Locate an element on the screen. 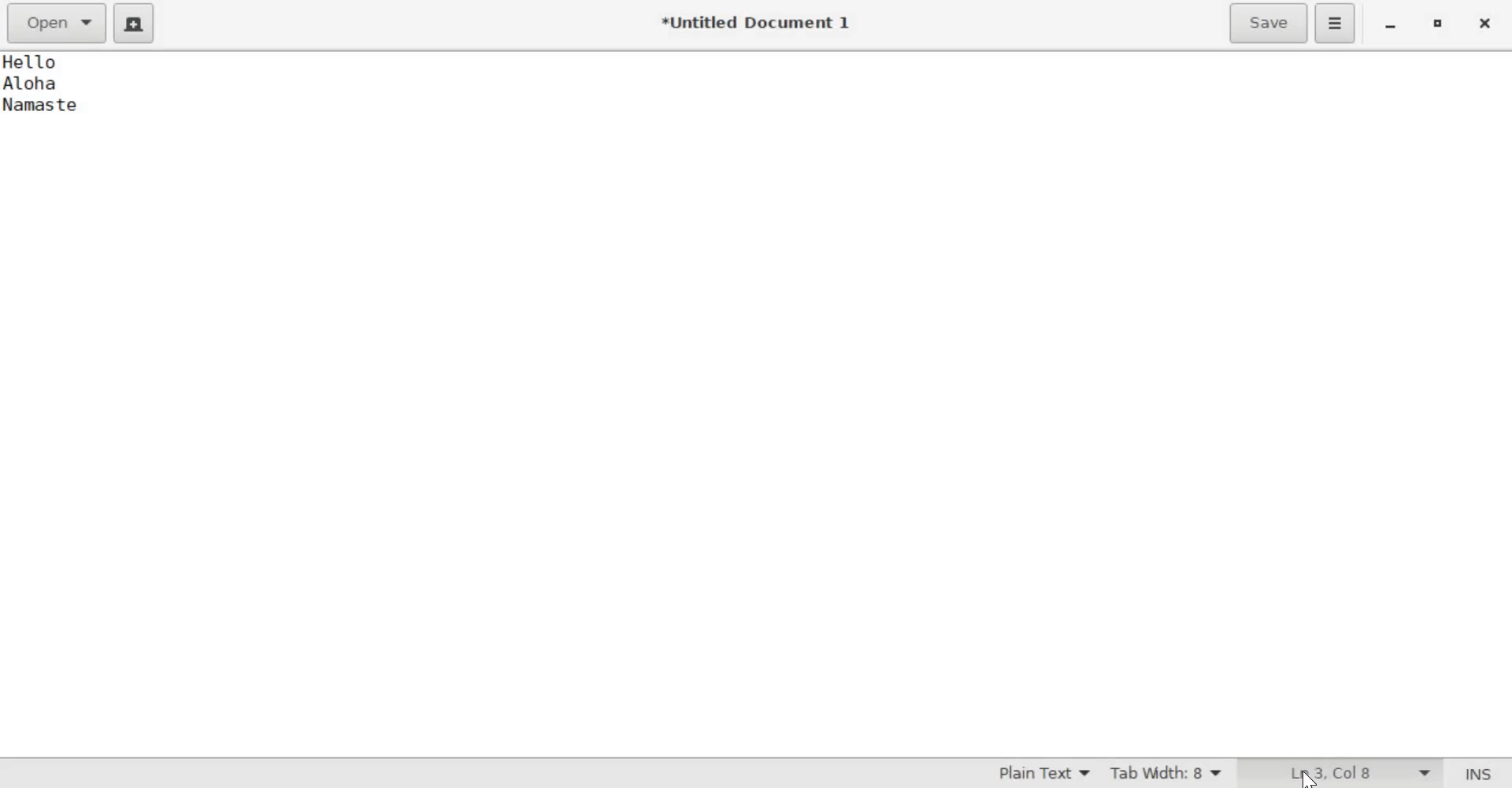 This screenshot has height=788, width=1512. Insert/Overwrite Mode is located at coordinates (1478, 772).